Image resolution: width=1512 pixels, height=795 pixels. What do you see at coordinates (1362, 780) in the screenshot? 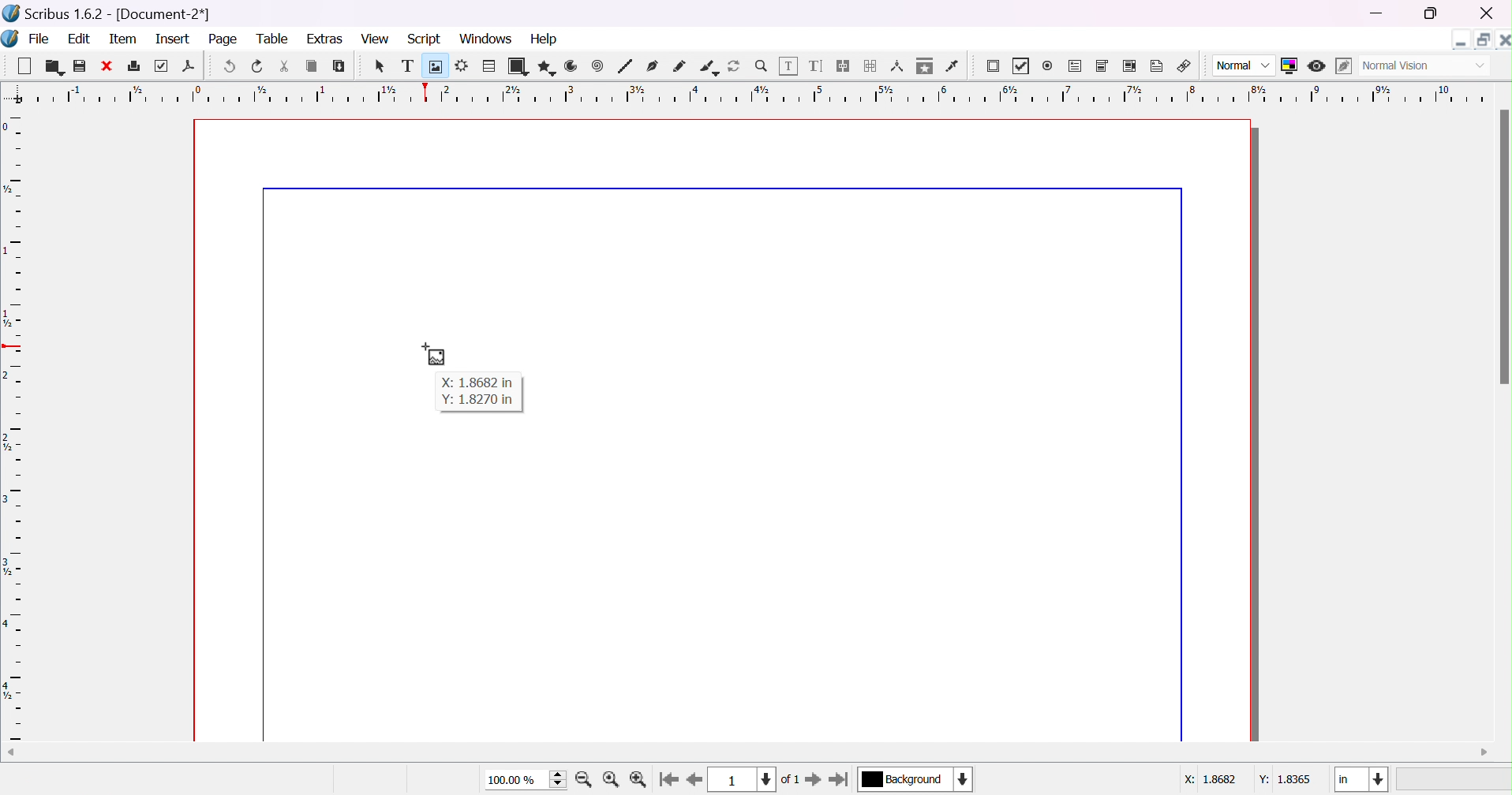
I see `in` at bounding box center [1362, 780].